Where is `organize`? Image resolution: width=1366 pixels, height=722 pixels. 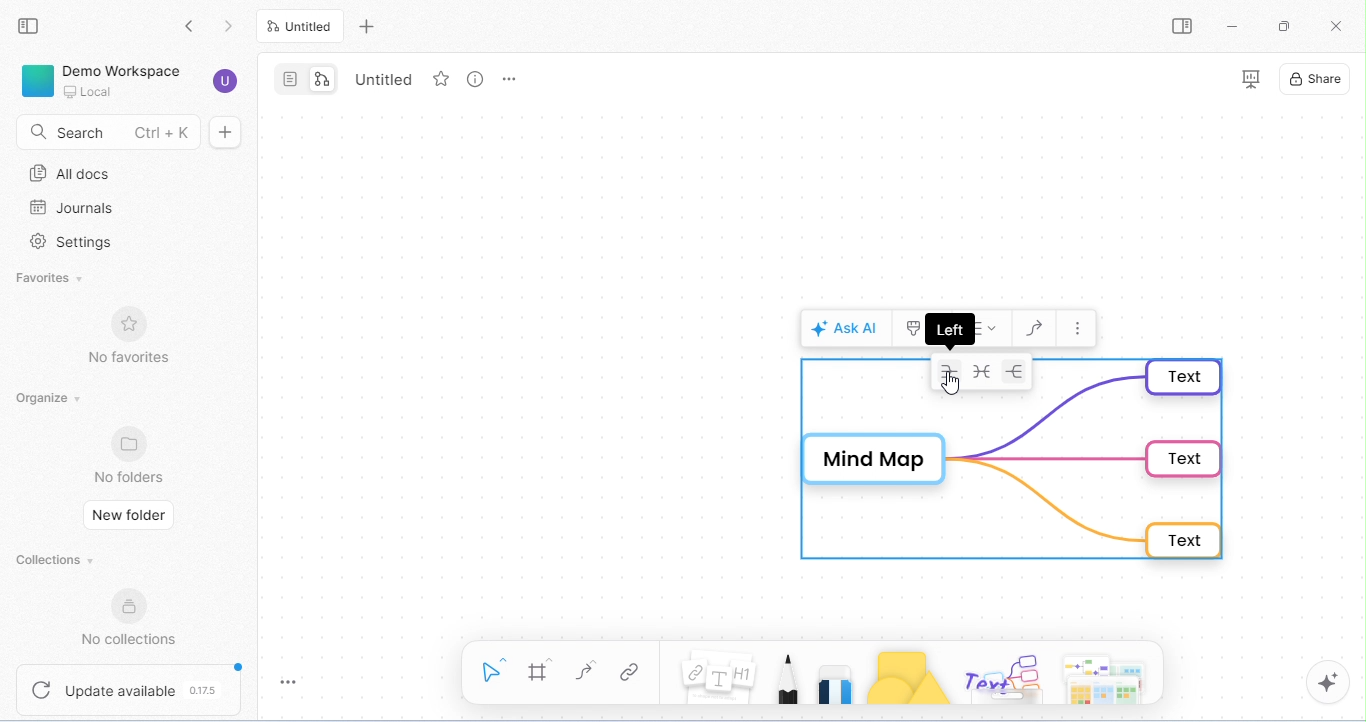 organize is located at coordinates (48, 399).